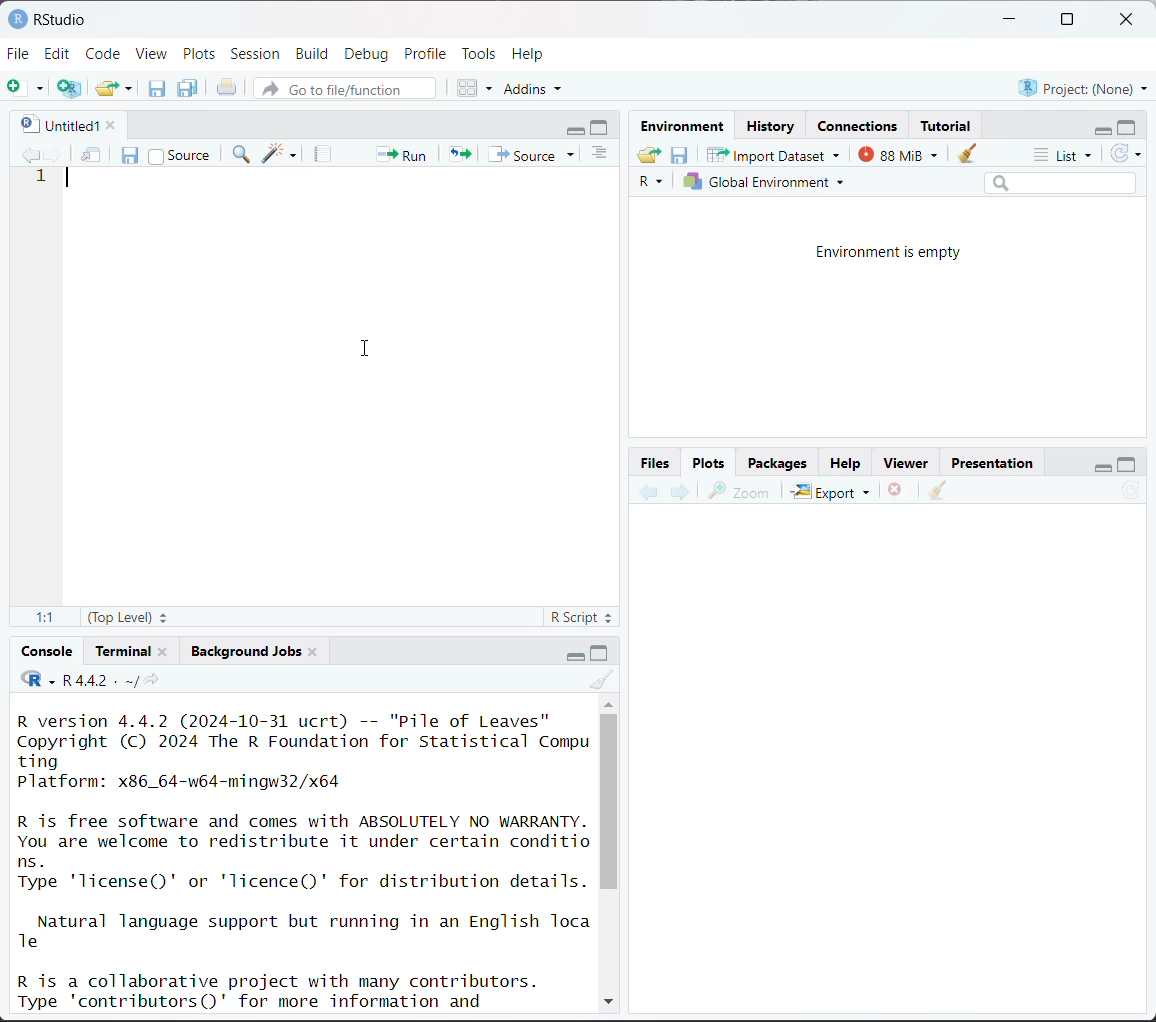 This screenshot has height=1022, width=1156. What do you see at coordinates (42, 178) in the screenshot?
I see `1` at bounding box center [42, 178].